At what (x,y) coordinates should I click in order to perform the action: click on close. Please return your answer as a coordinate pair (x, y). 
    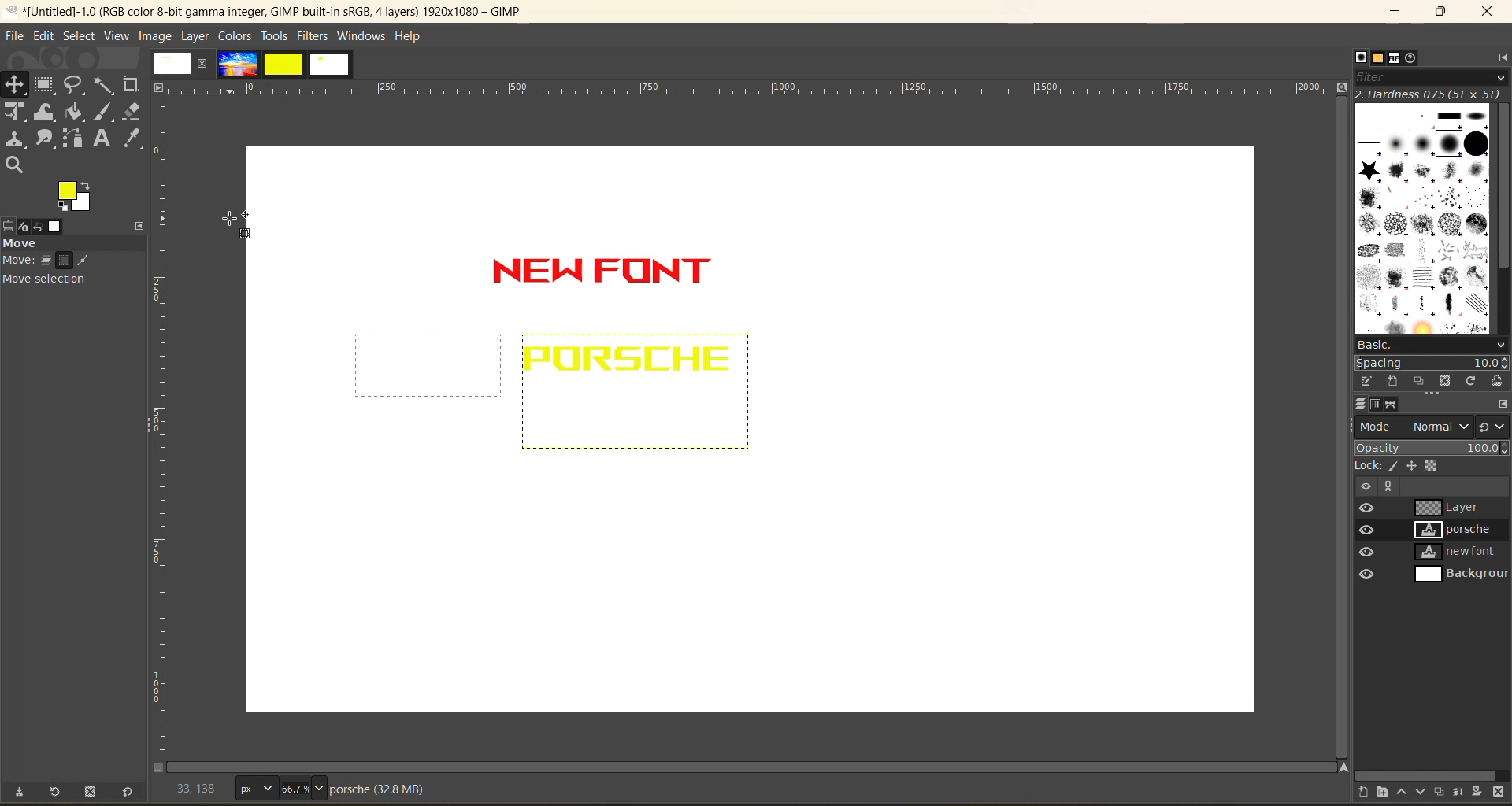
    Looking at the image, I should click on (1488, 13).